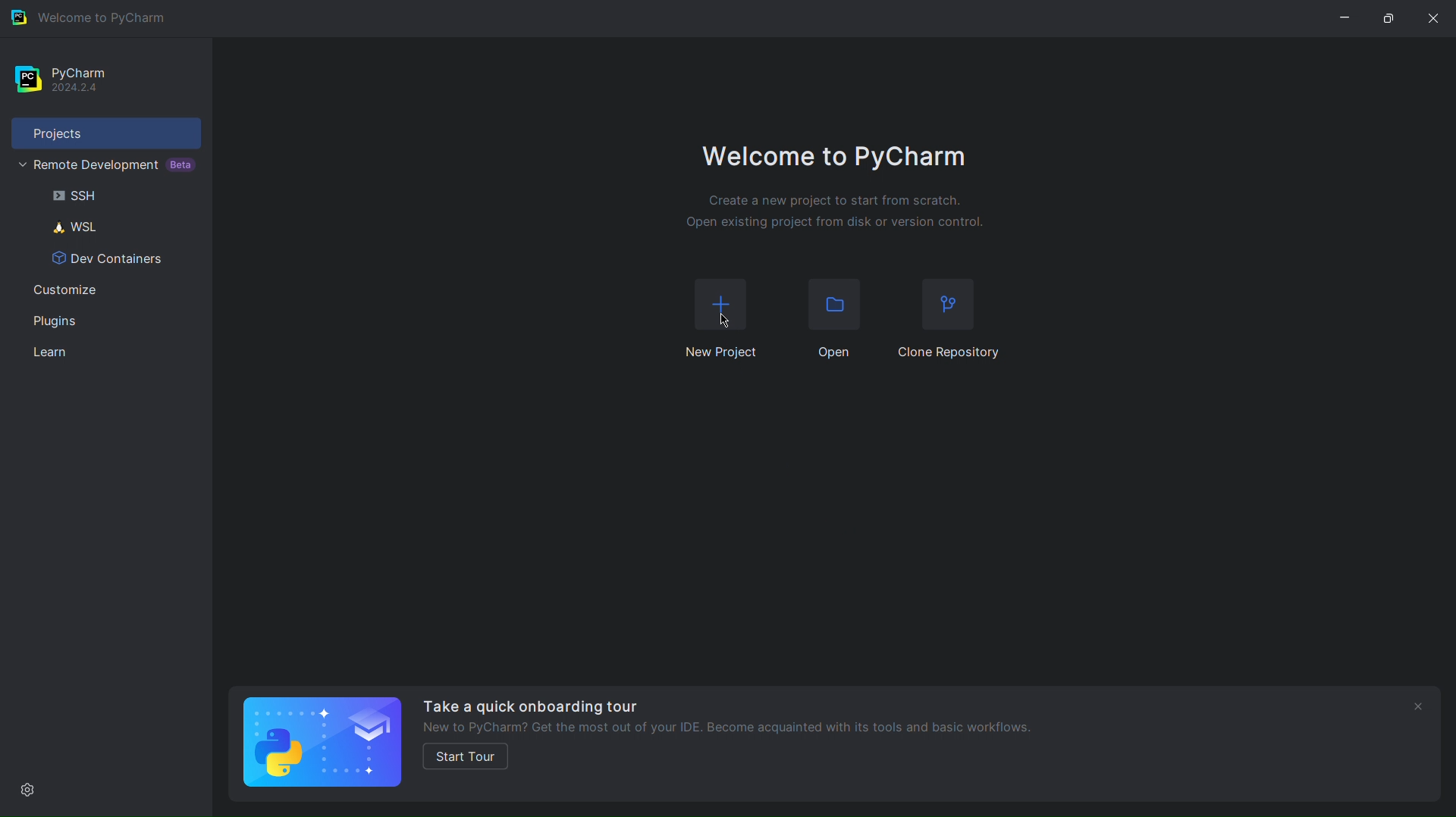 This screenshot has height=817, width=1456. What do you see at coordinates (717, 321) in the screenshot?
I see `New Project` at bounding box center [717, 321].